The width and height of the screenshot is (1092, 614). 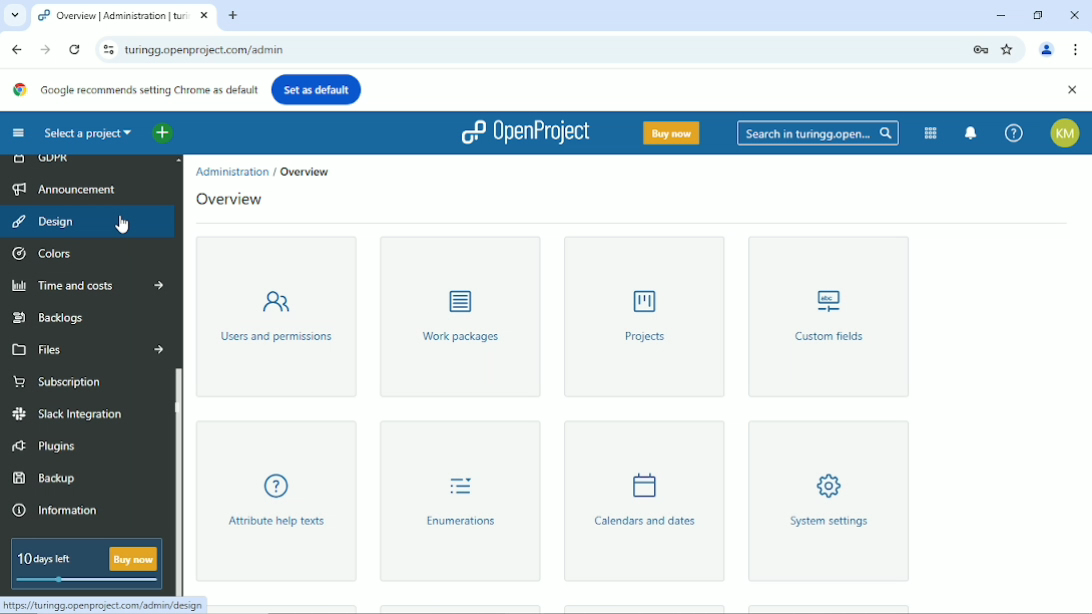 What do you see at coordinates (87, 349) in the screenshot?
I see `Files` at bounding box center [87, 349].